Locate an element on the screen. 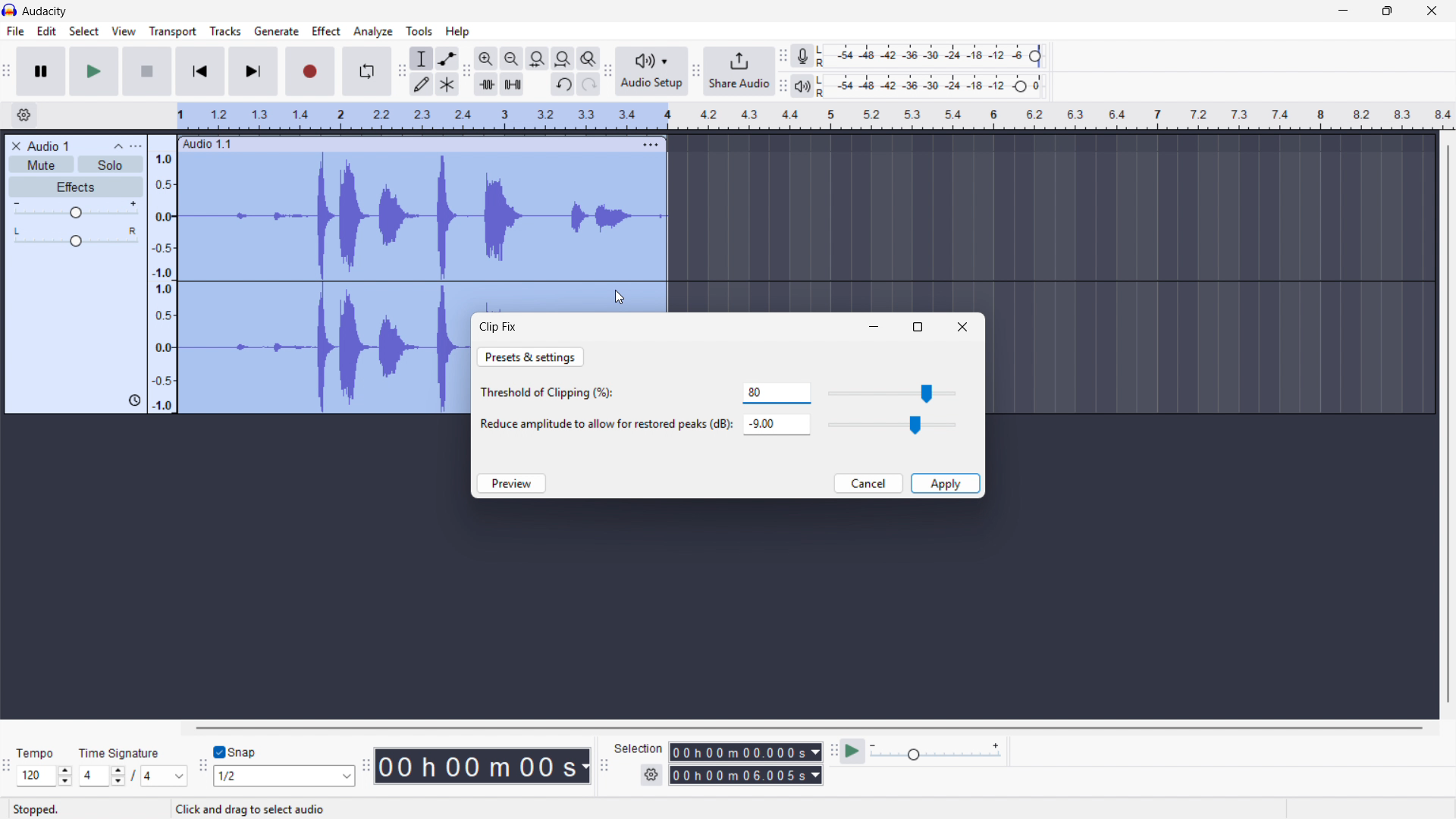 This screenshot has height=819, width=1456. Recording level is located at coordinates (934, 56).